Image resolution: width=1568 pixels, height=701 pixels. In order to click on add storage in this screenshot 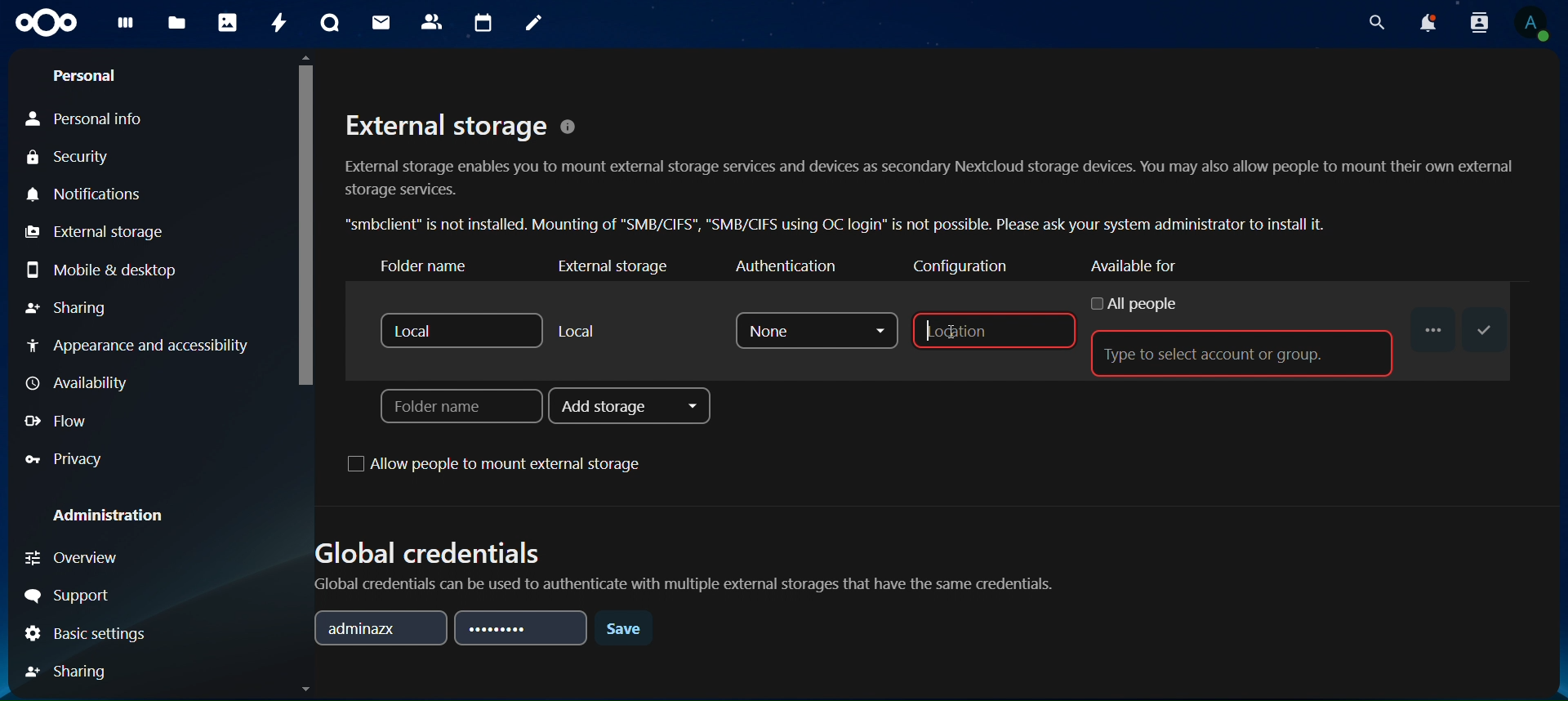, I will do `click(632, 407)`.